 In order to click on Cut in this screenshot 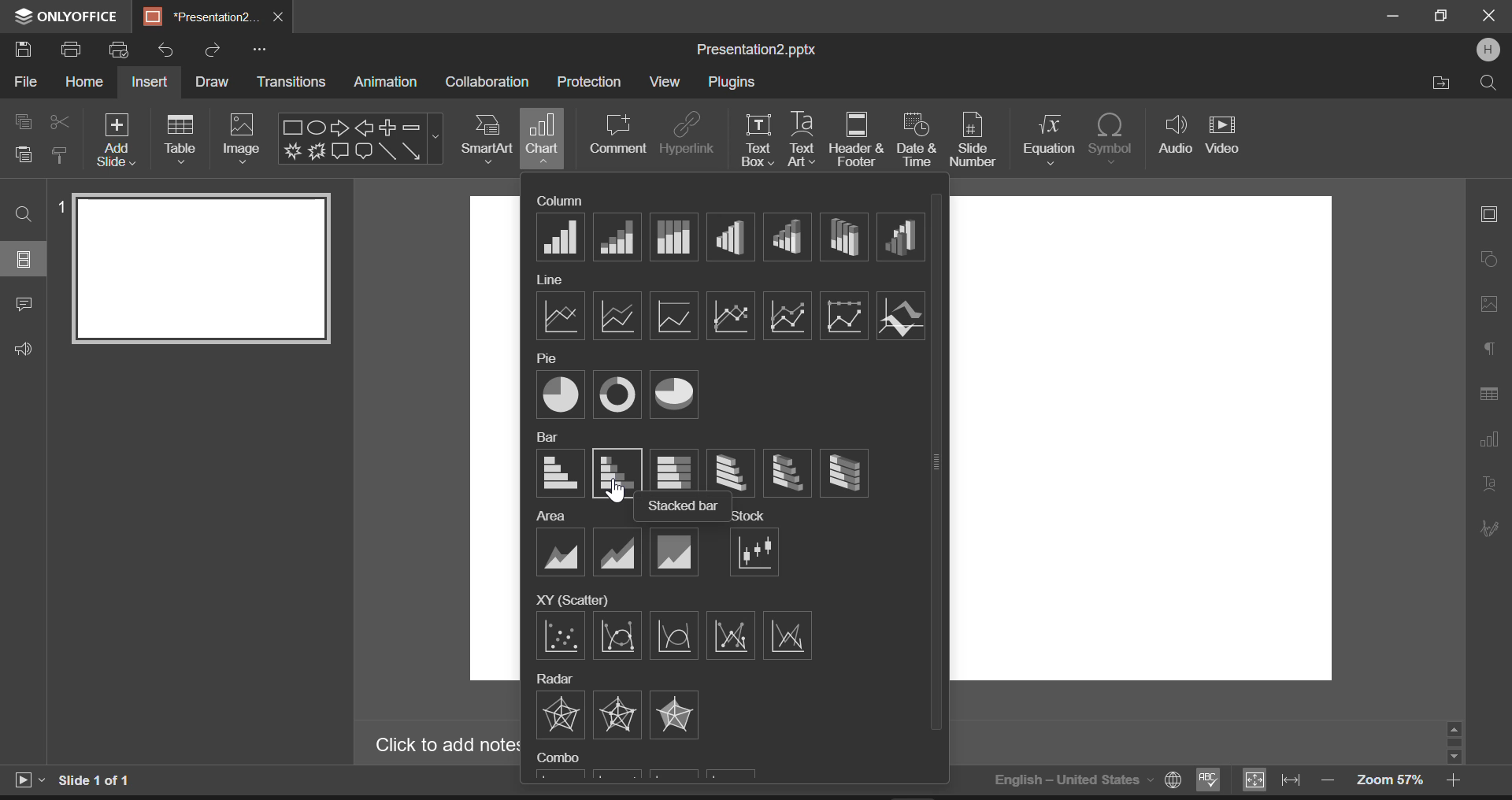, I will do `click(60, 119)`.